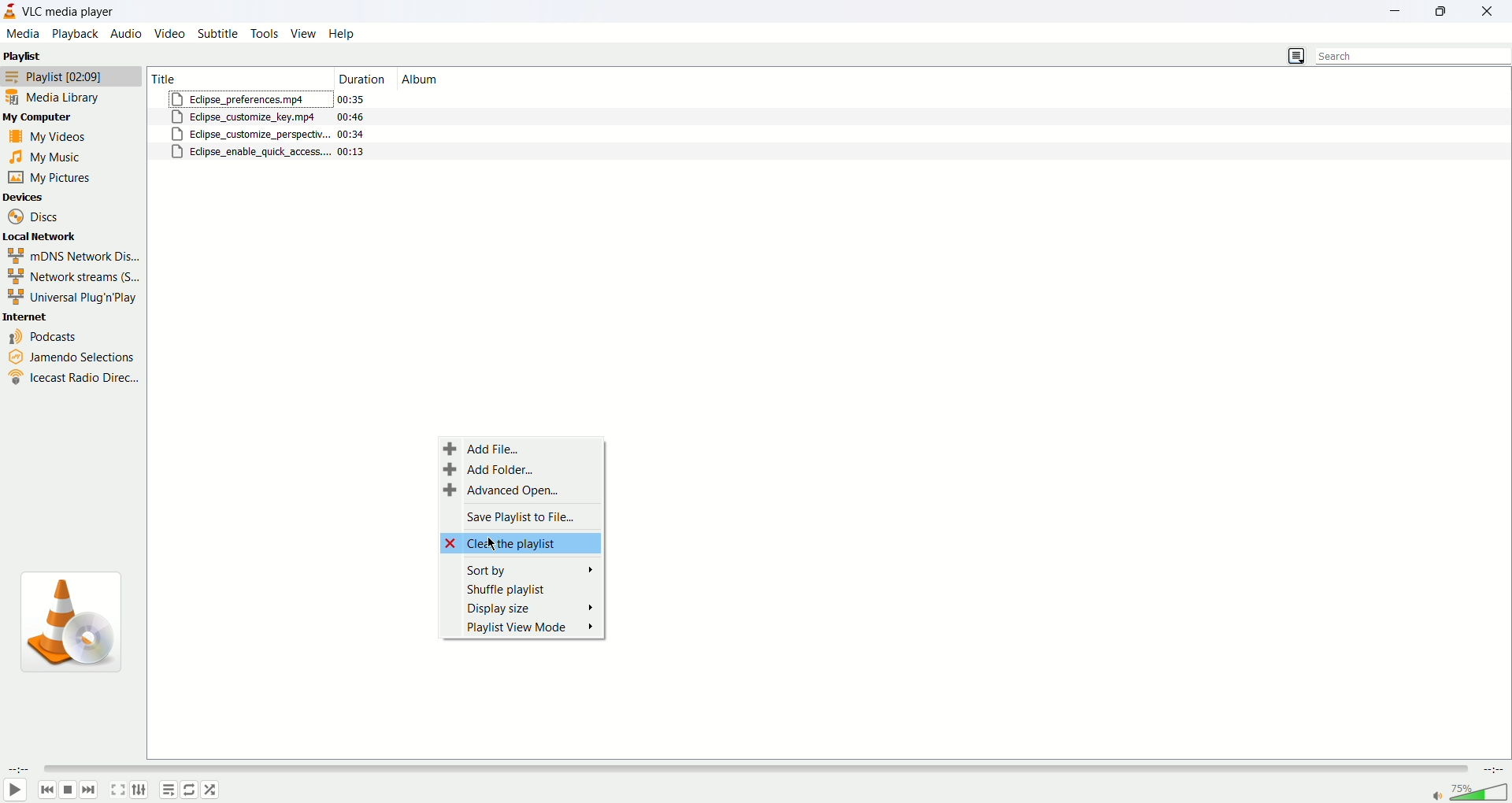  Describe the element at coordinates (529, 608) in the screenshot. I see `display size` at that location.